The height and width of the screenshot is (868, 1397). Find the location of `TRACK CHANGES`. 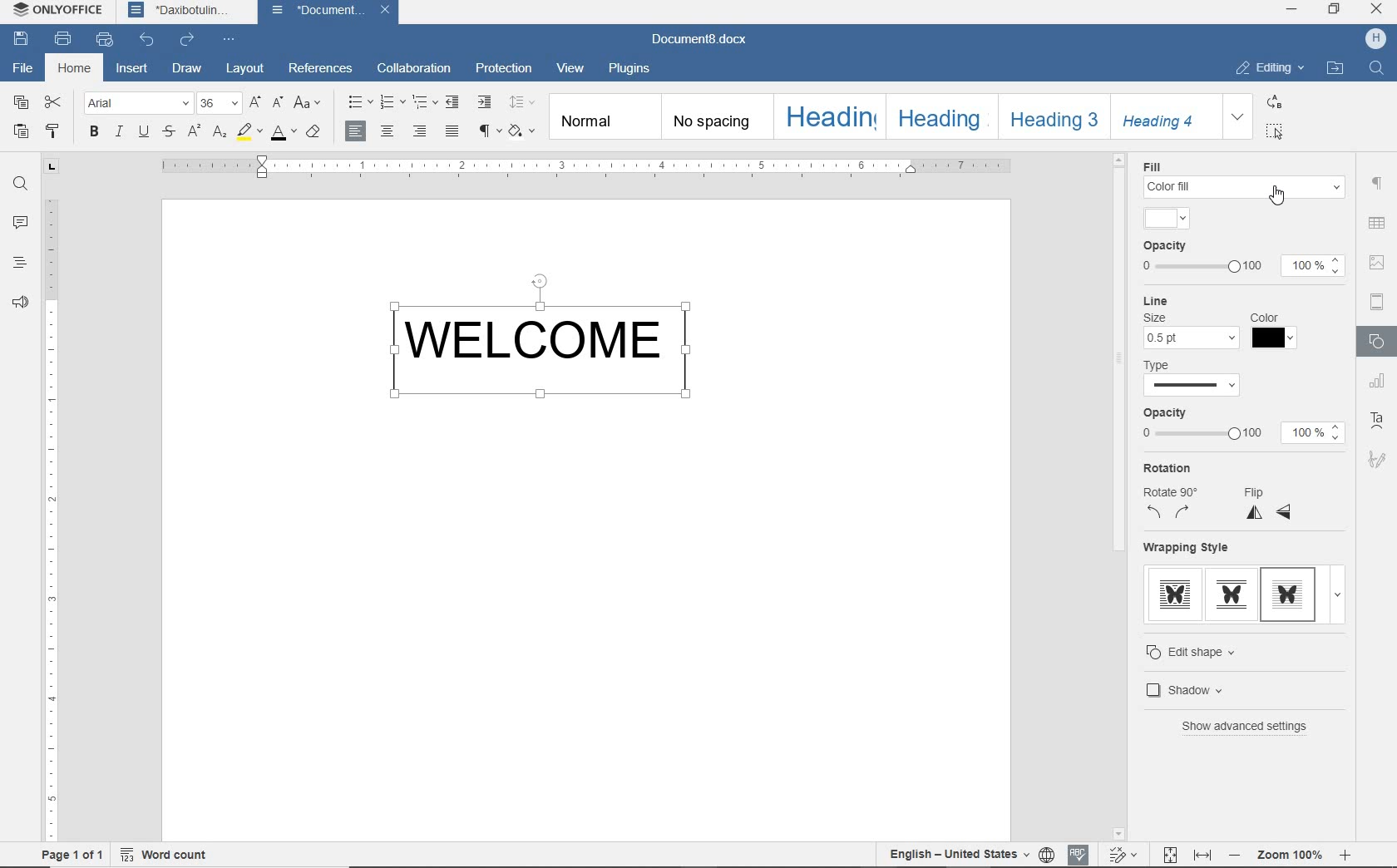

TRACK CHANGES is located at coordinates (1126, 854).